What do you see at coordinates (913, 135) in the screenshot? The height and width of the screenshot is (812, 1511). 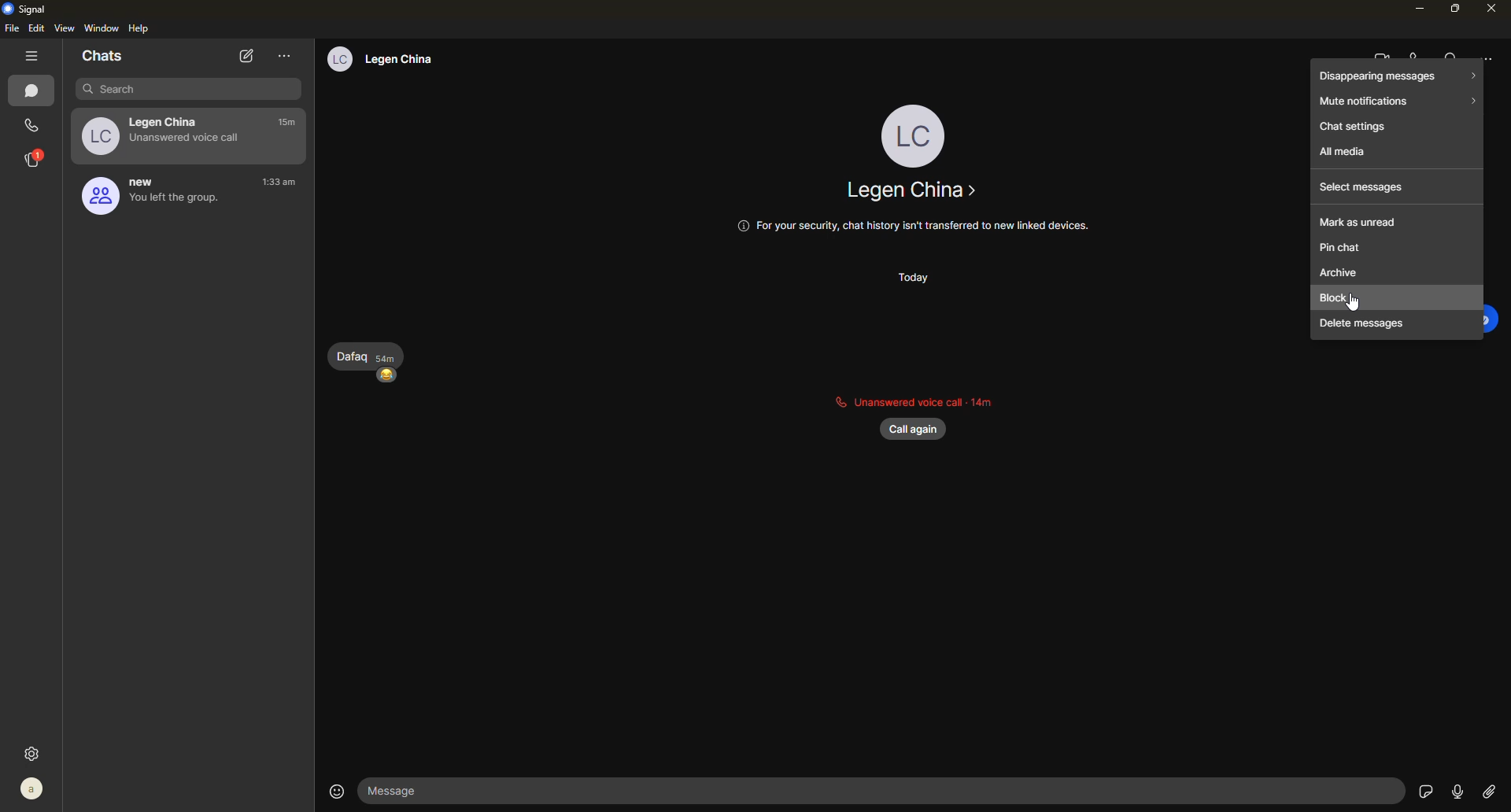 I see `profile pic` at bounding box center [913, 135].